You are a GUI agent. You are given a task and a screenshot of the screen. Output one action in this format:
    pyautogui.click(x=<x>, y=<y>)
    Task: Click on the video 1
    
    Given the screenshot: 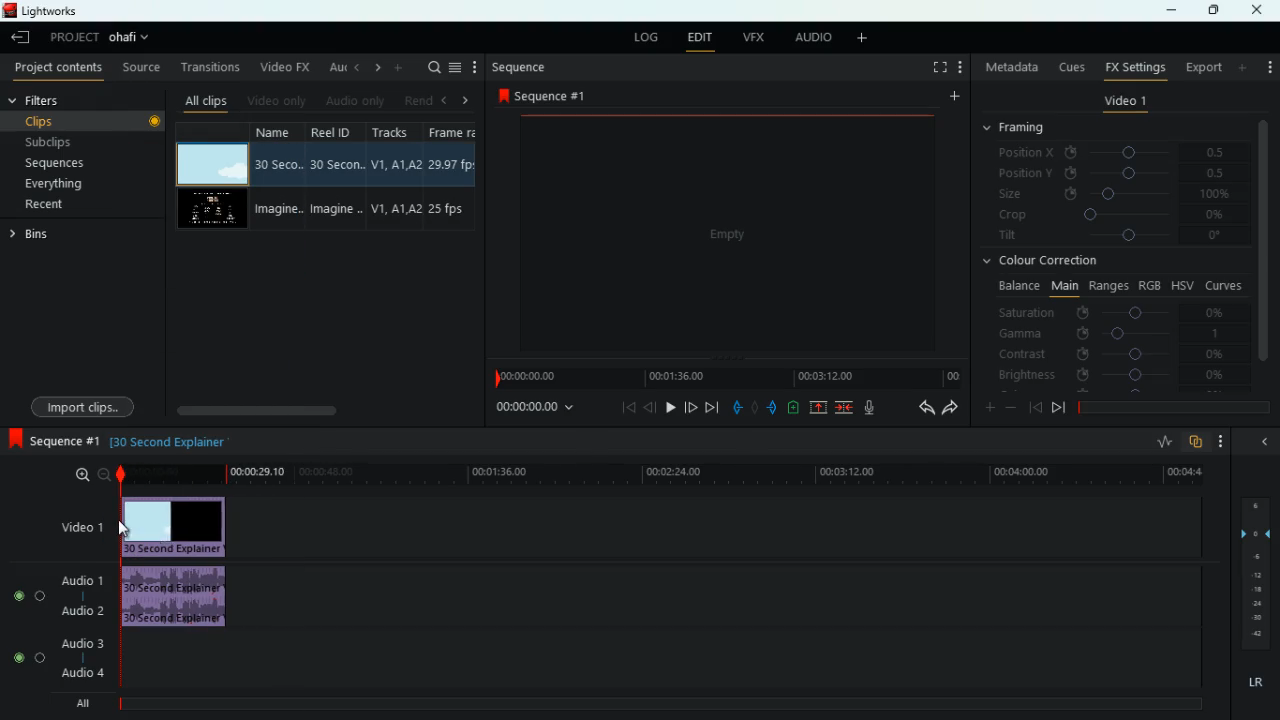 What is the action you would take?
    pyautogui.click(x=84, y=526)
    